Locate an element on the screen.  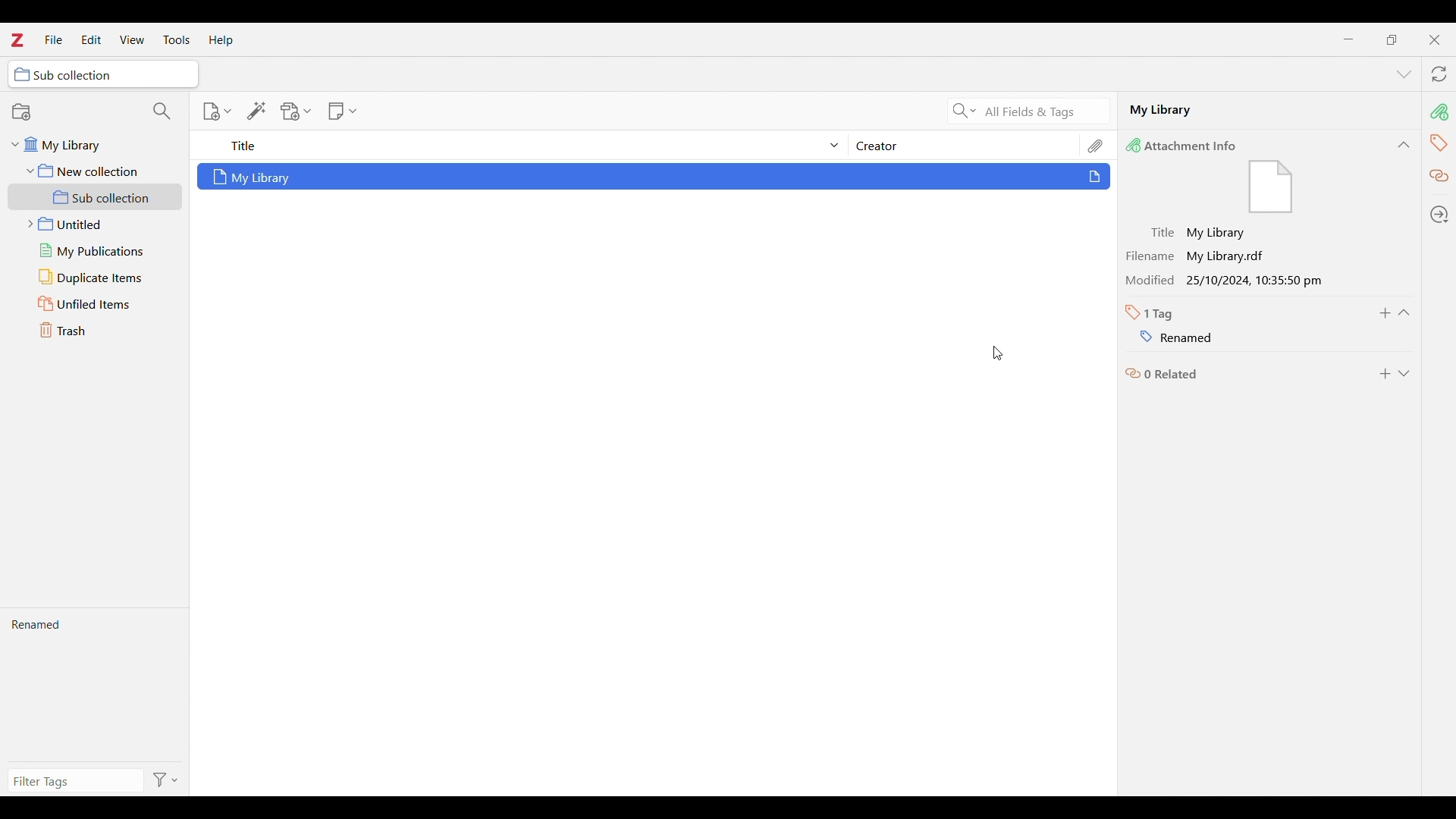
All fields and tags search criteria selected is located at coordinates (1043, 112).